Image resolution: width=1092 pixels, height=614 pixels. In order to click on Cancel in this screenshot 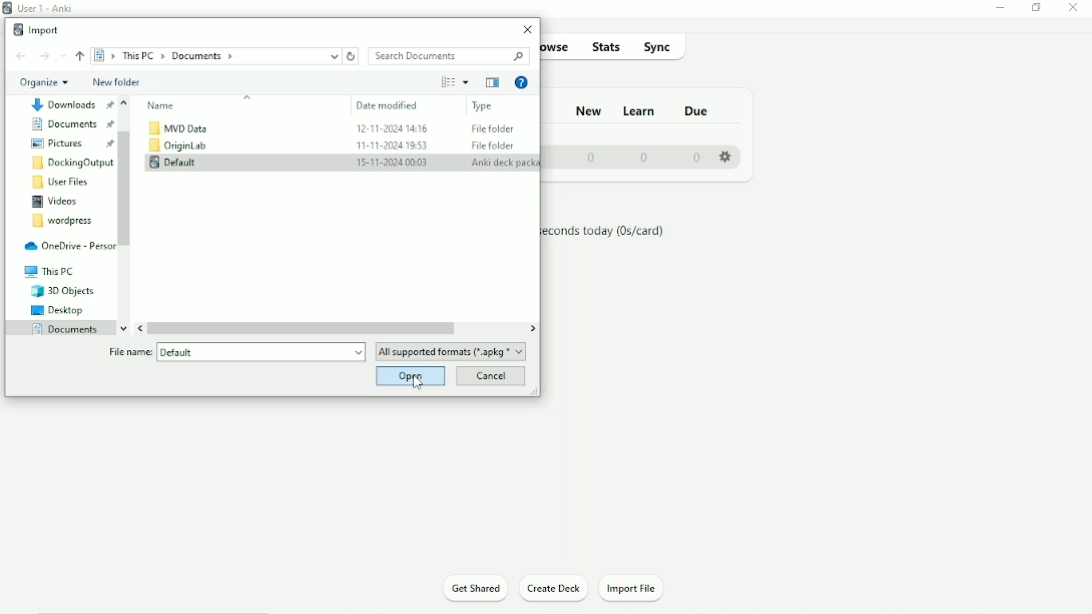, I will do `click(491, 377)`.